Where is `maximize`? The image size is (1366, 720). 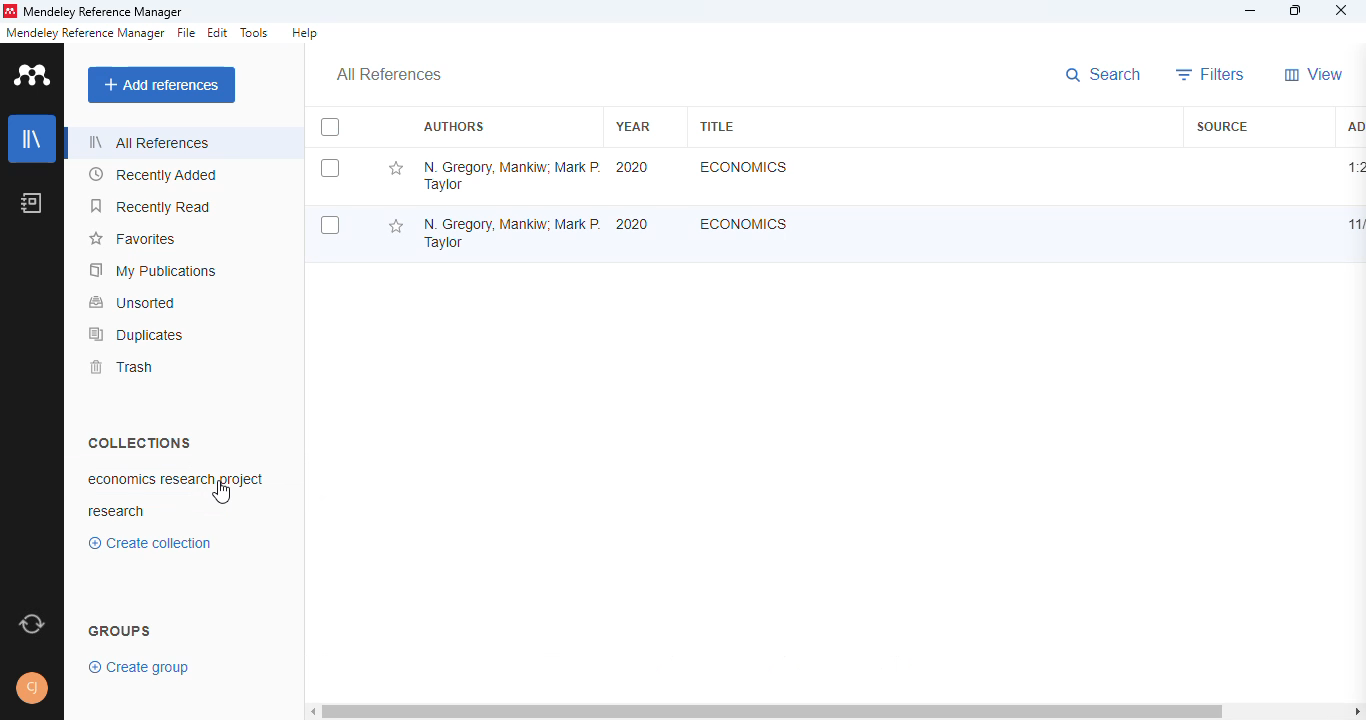 maximize is located at coordinates (1298, 11).